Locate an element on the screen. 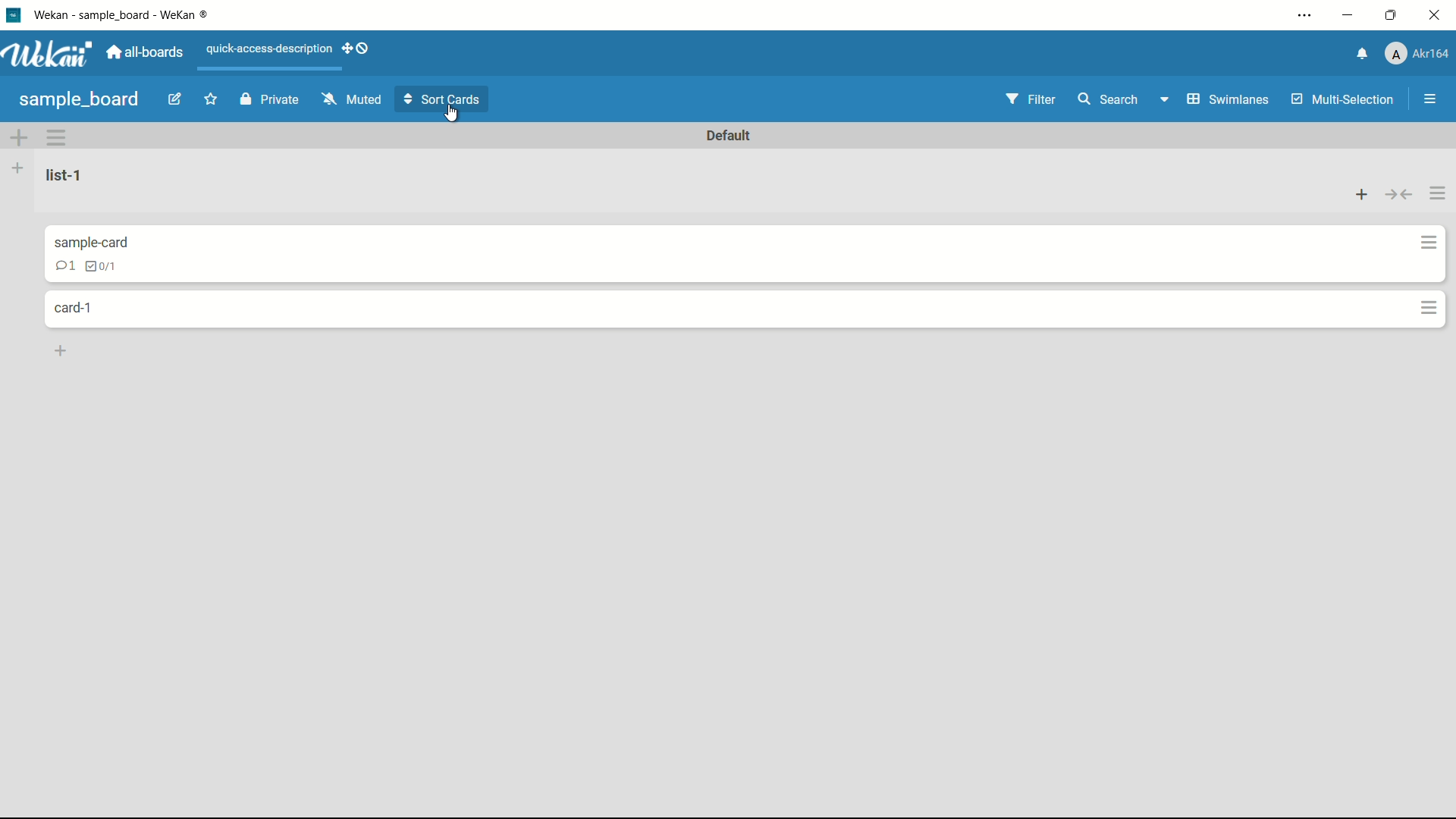 The height and width of the screenshot is (819, 1456). edit is located at coordinates (174, 99).